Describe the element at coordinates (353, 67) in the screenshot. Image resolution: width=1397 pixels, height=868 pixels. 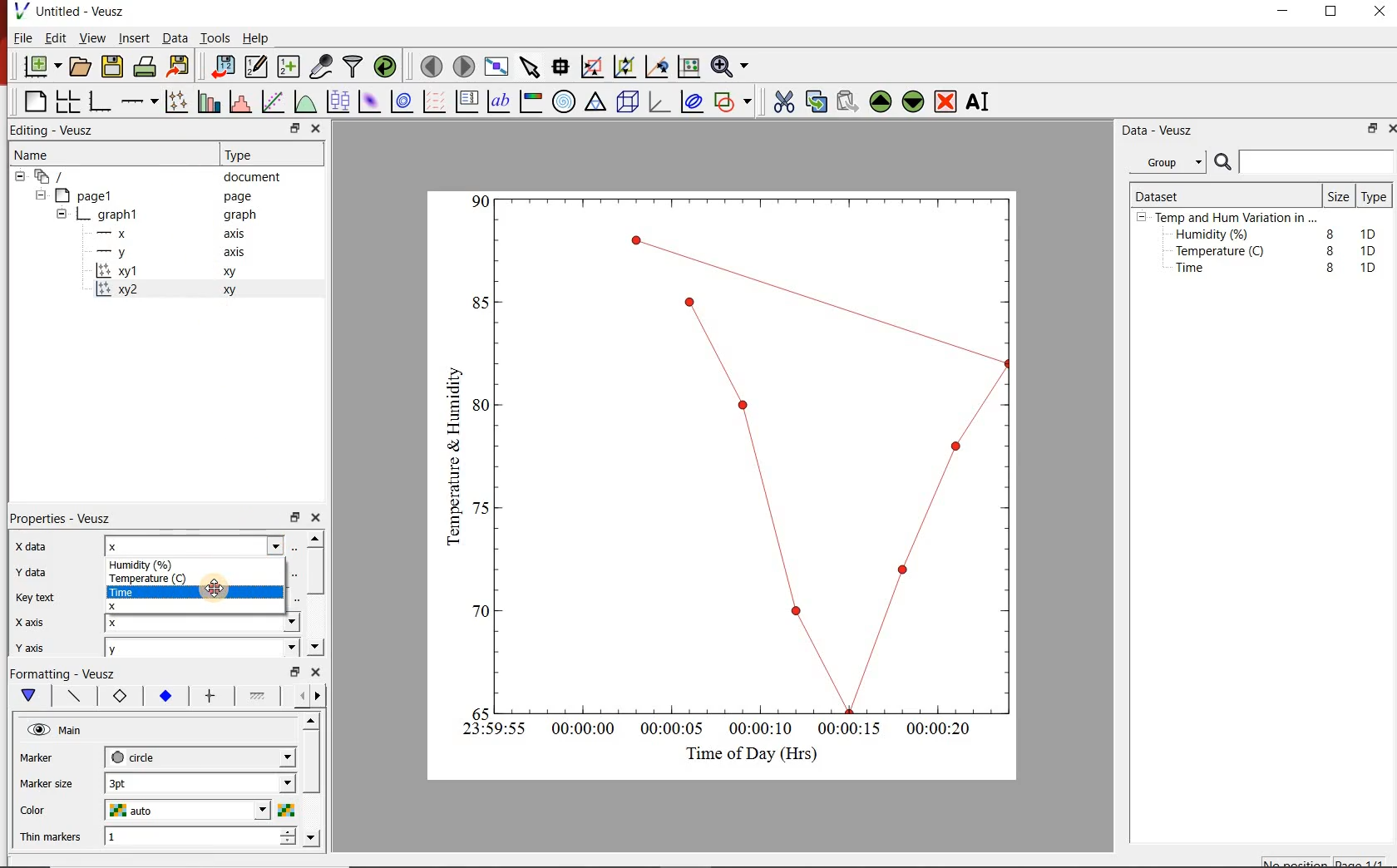
I see `filter data` at that location.